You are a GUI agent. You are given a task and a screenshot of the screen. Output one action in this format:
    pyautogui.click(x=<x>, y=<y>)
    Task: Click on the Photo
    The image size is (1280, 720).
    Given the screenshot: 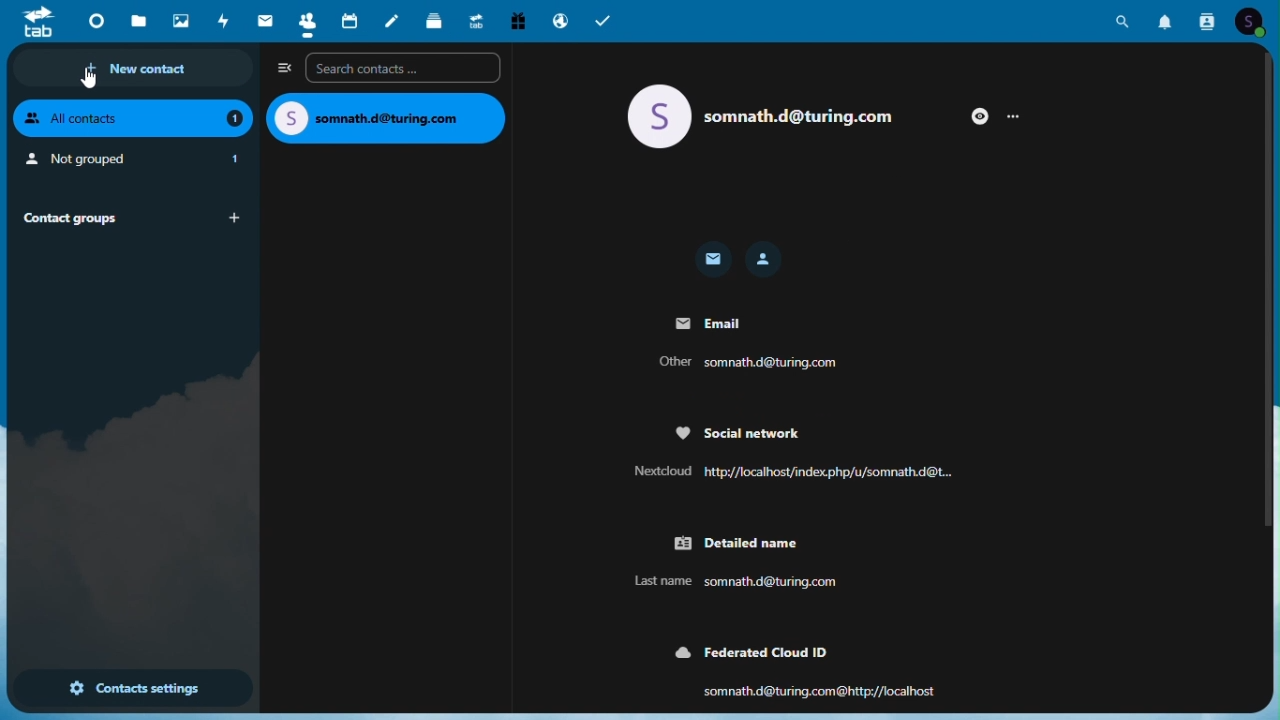 What is the action you would take?
    pyautogui.click(x=180, y=21)
    